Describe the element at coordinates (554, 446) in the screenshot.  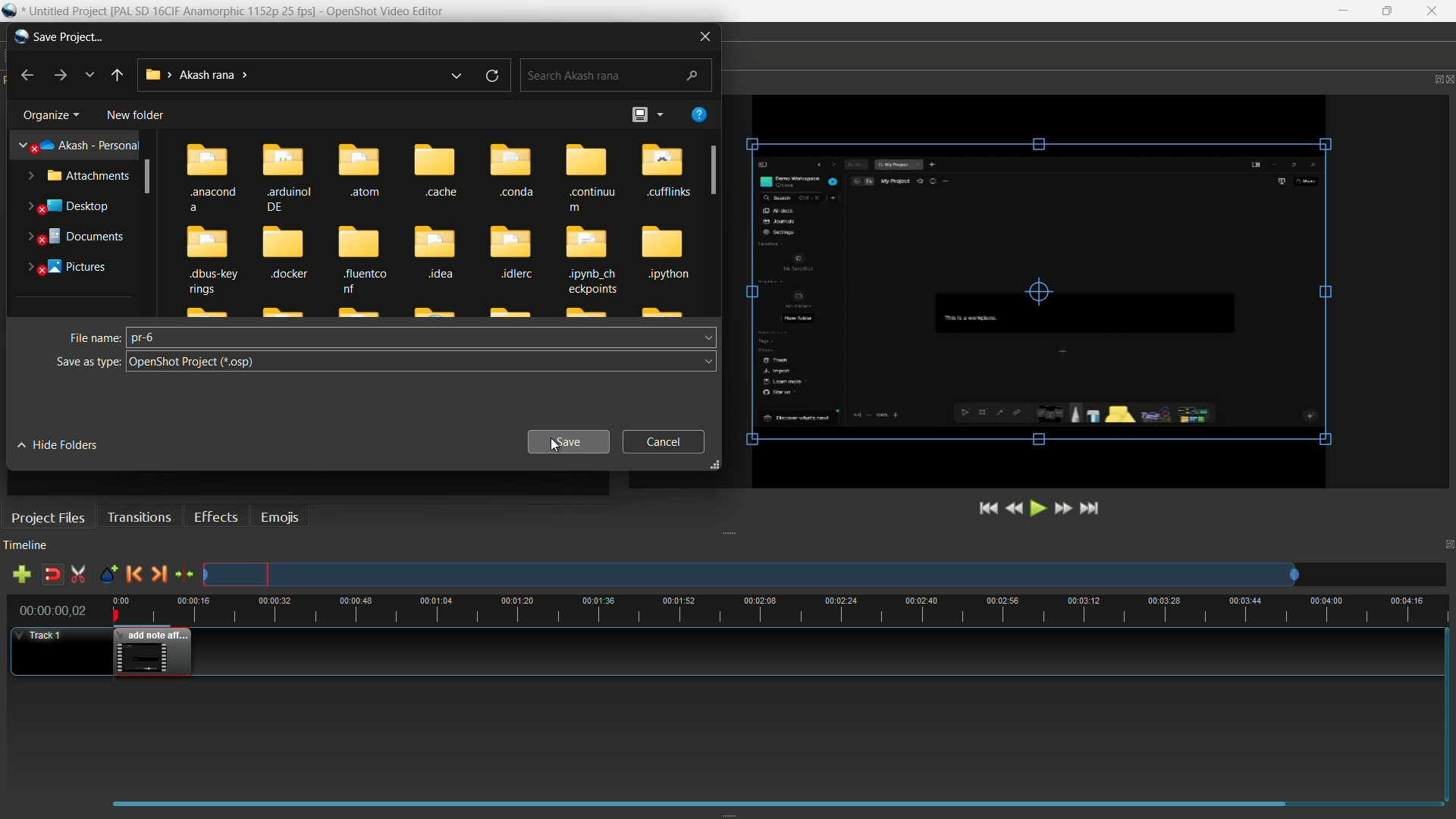
I see `cursor` at that location.